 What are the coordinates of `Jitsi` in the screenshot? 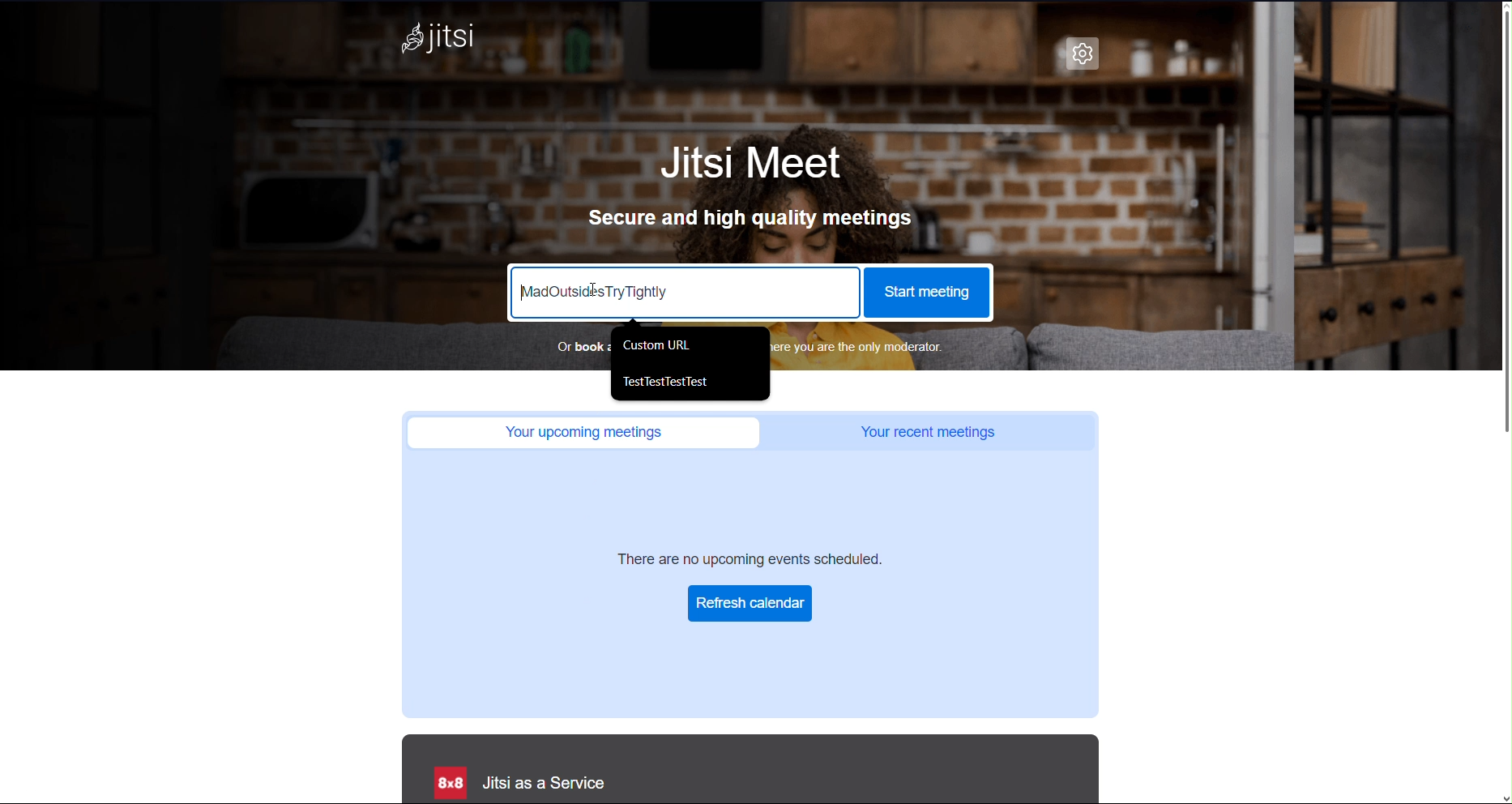 It's located at (437, 41).